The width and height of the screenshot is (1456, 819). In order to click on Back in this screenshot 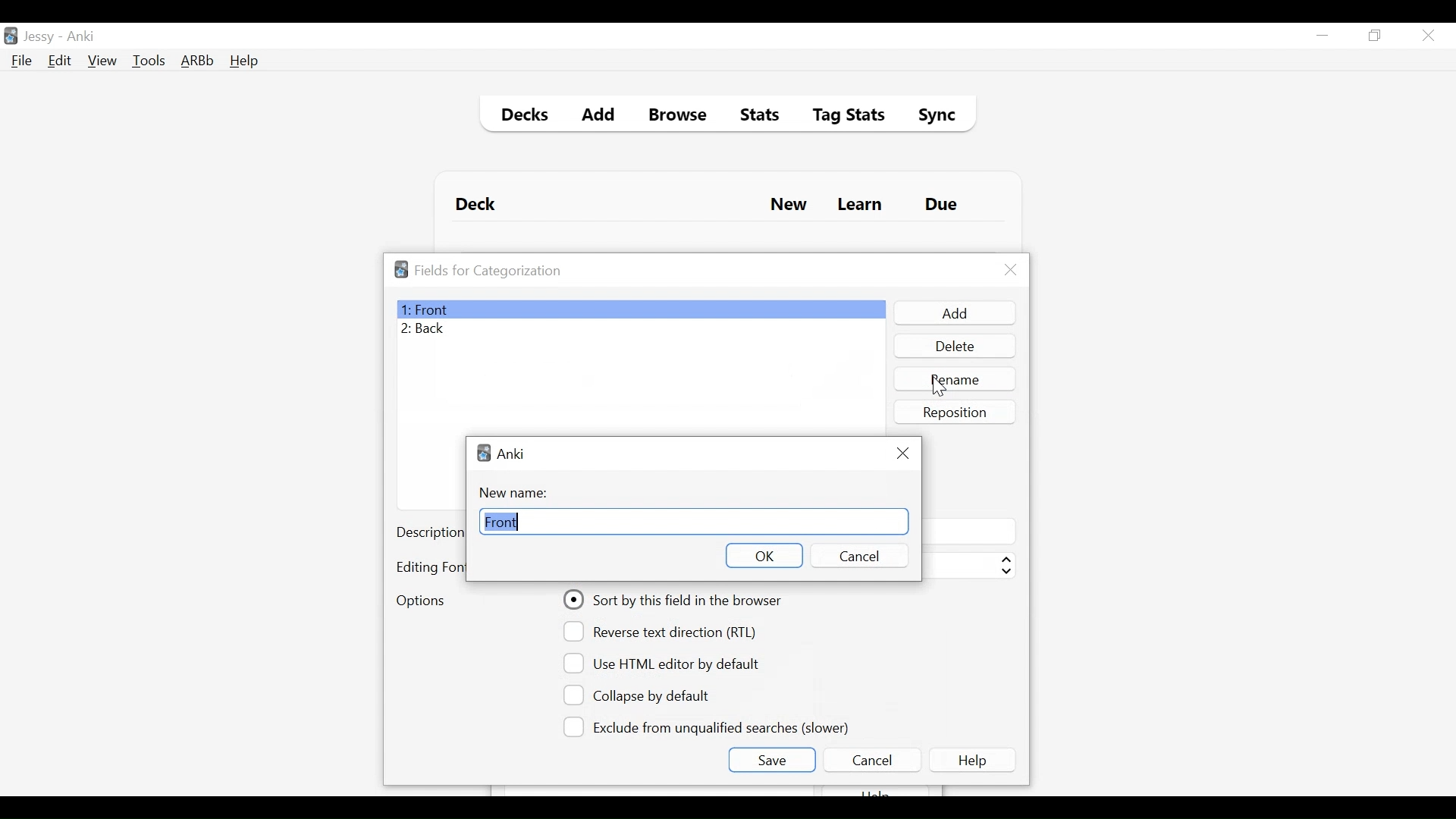, I will do `click(427, 330)`.